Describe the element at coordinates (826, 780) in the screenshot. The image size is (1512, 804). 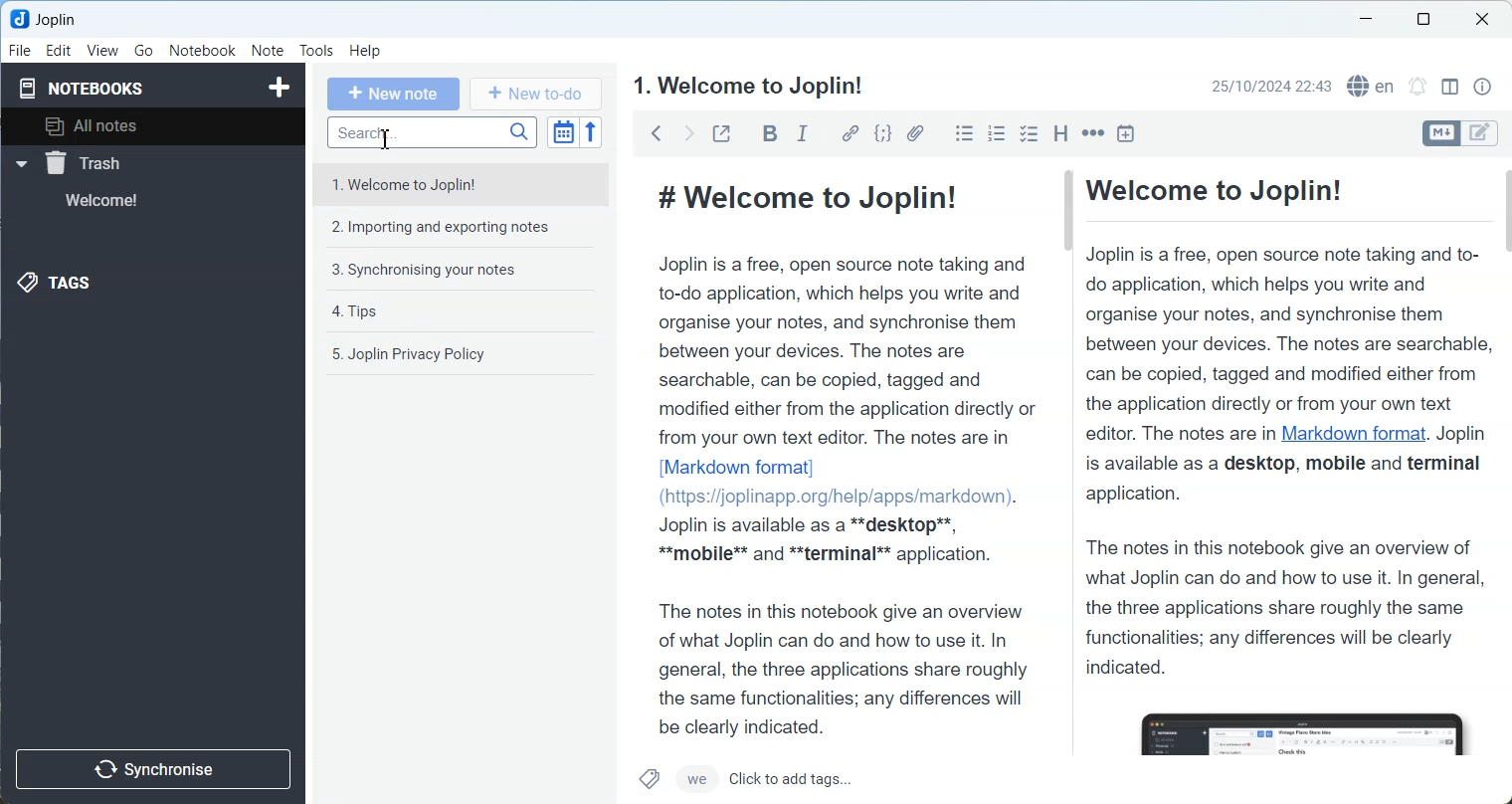
I see `Click to add tags` at that location.